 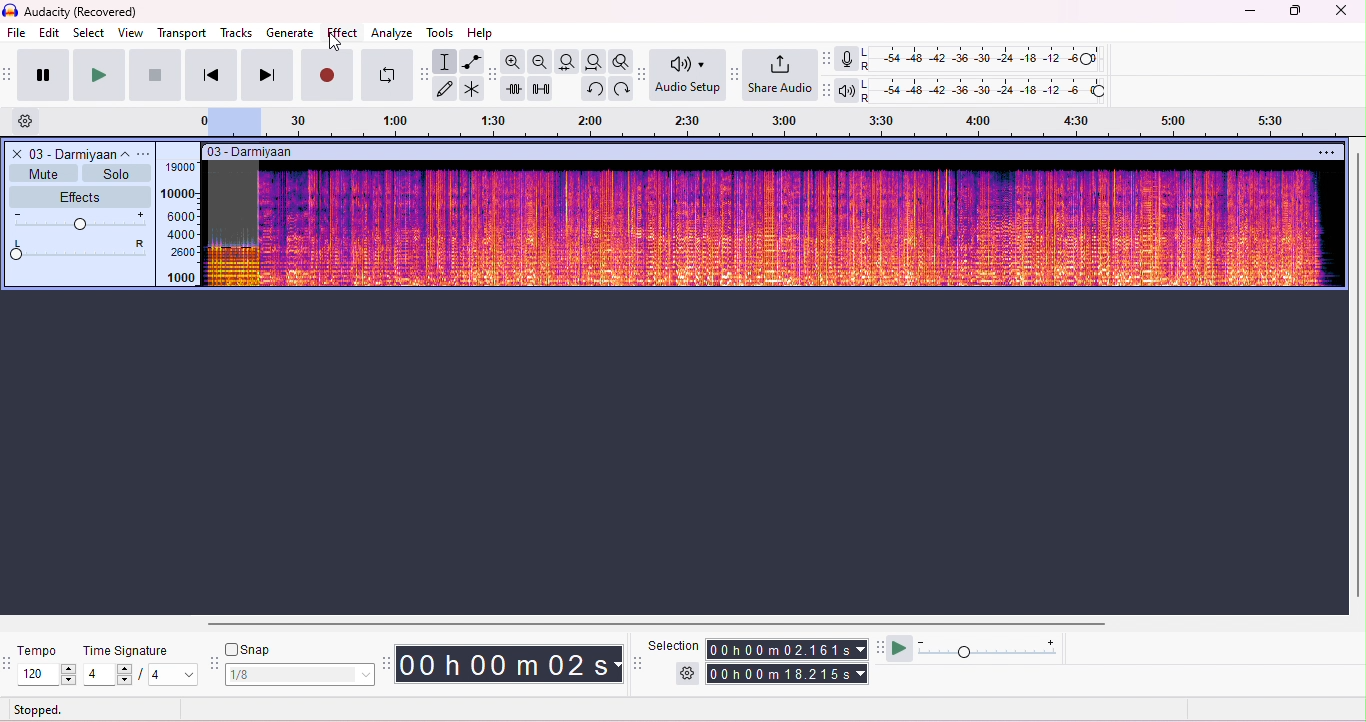 What do you see at coordinates (391, 33) in the screenshot?
I see `analyze` at bounding box center [391, 33].